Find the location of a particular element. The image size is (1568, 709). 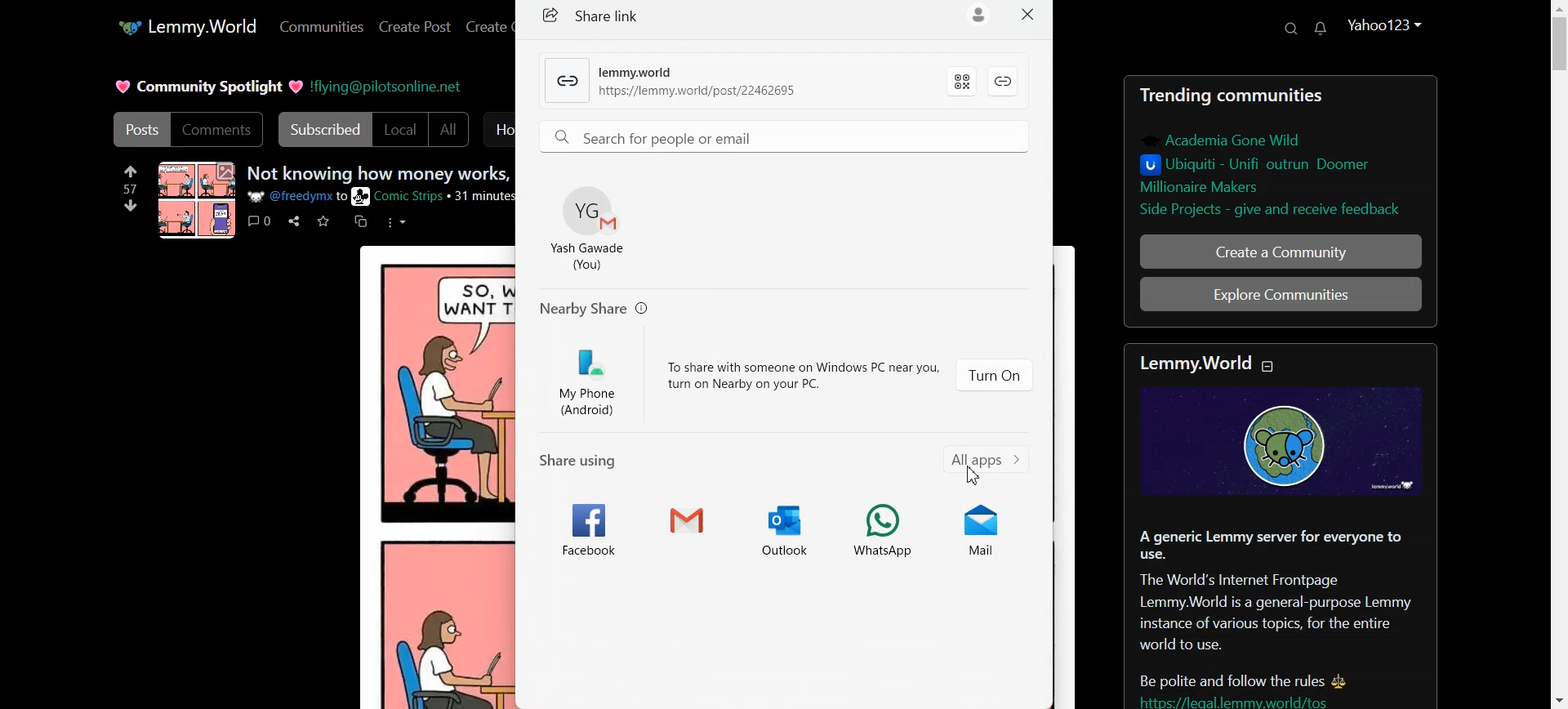

info is located at coordinates (383, 197).